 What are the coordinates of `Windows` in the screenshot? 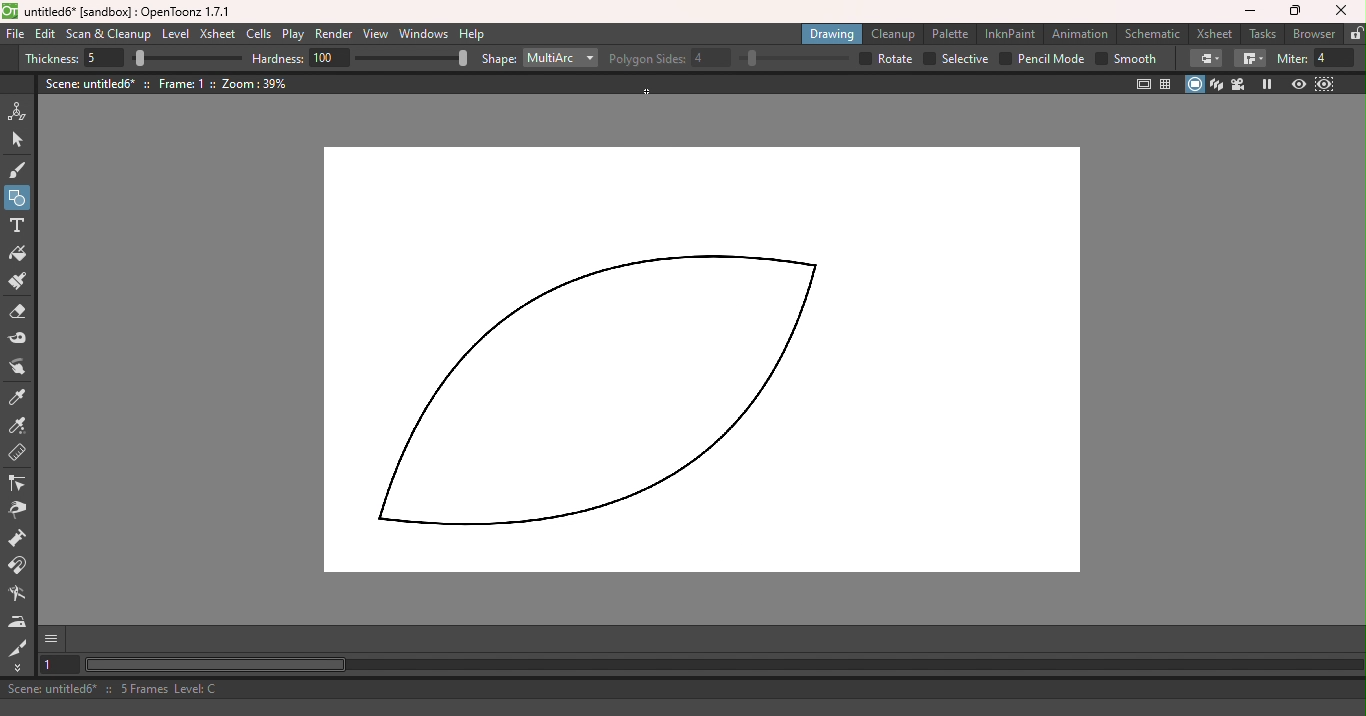 It's located at (424, 34).